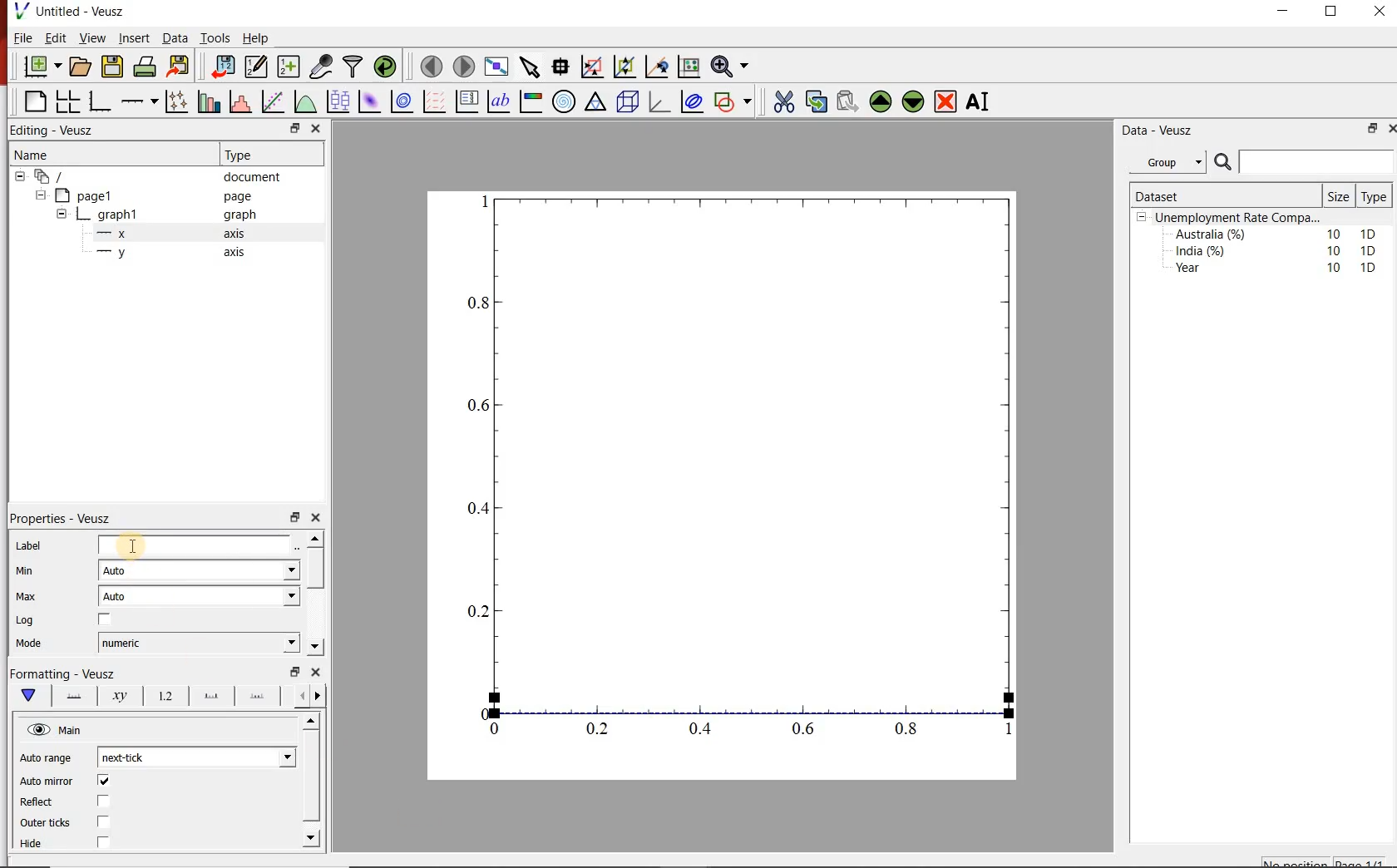  Describe the element at coordinates (466, 102) in the screenshot. I see `plot key` at that location.